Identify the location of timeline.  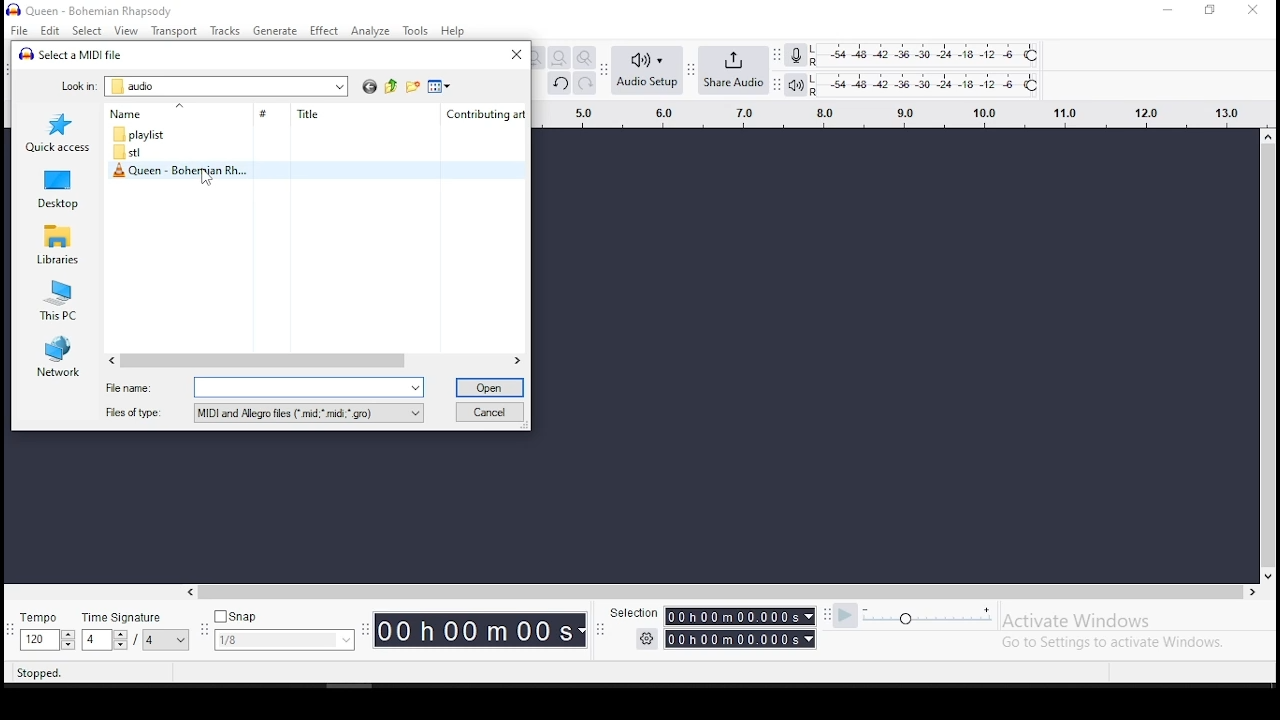
(889, 110).